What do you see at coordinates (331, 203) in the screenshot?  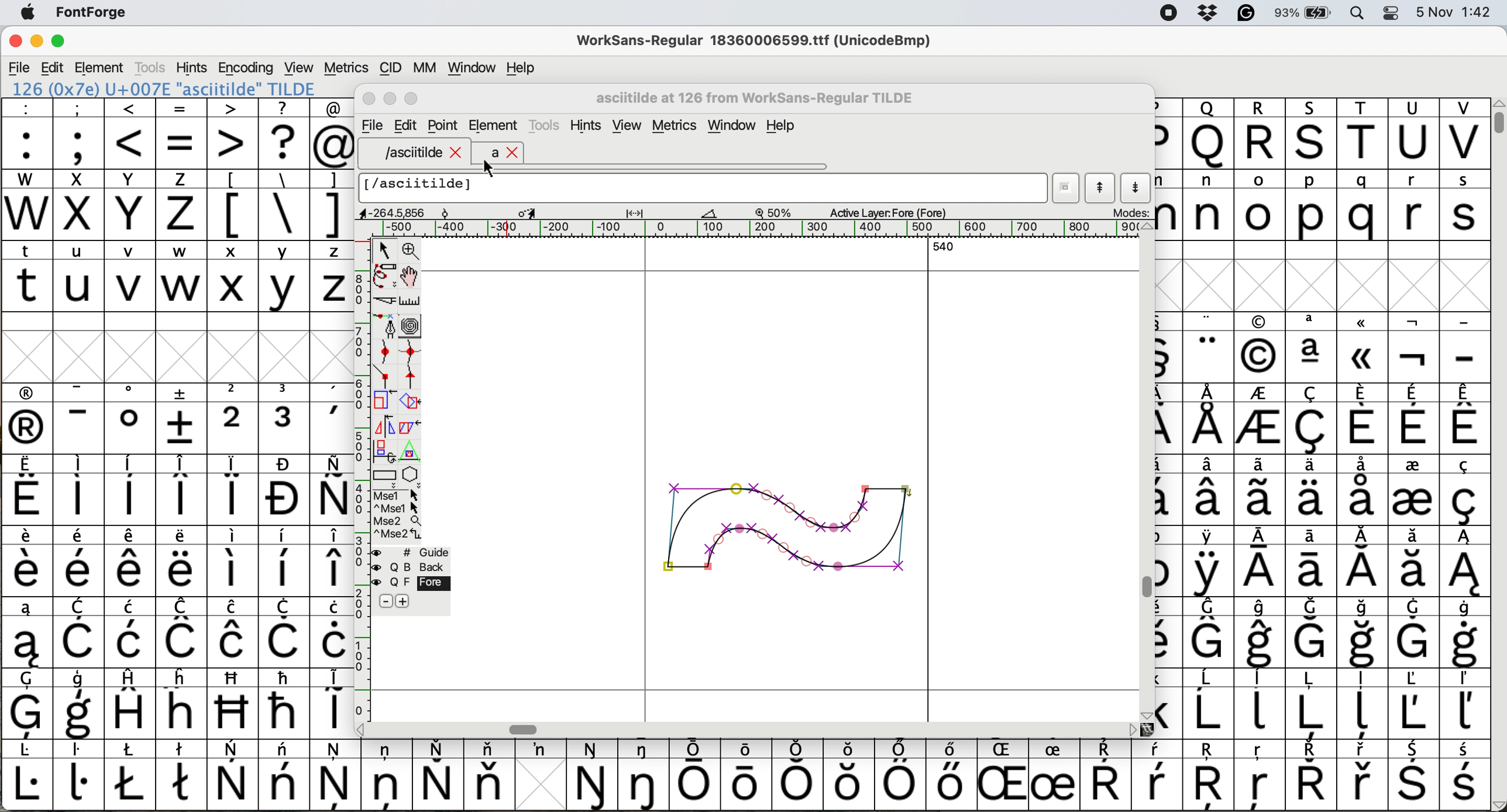 I see `]` at bounding box center [331, 203].